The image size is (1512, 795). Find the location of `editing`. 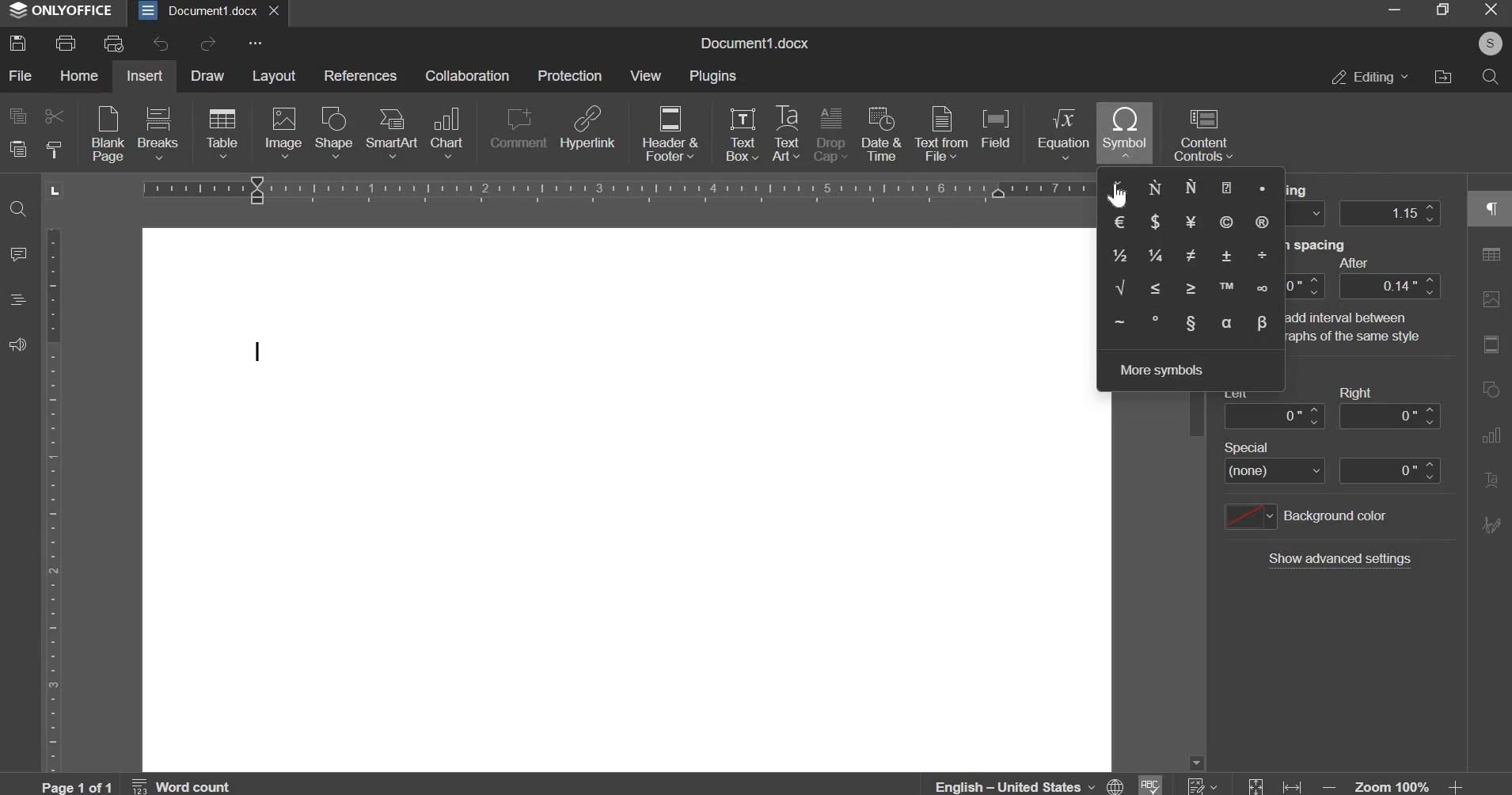

editing is located at coordinates (1367, 77).